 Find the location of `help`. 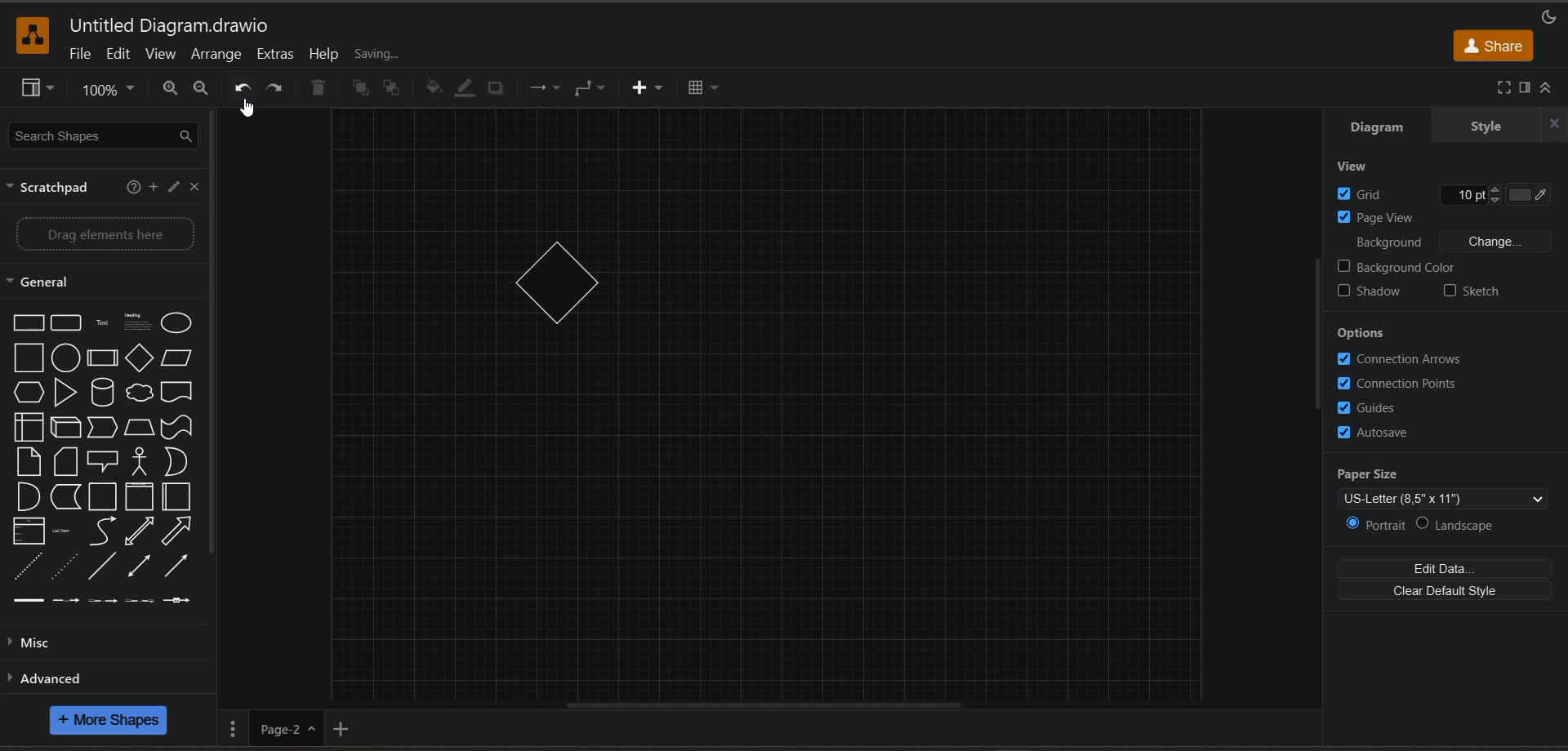

help is located at coordinates (324, 52).